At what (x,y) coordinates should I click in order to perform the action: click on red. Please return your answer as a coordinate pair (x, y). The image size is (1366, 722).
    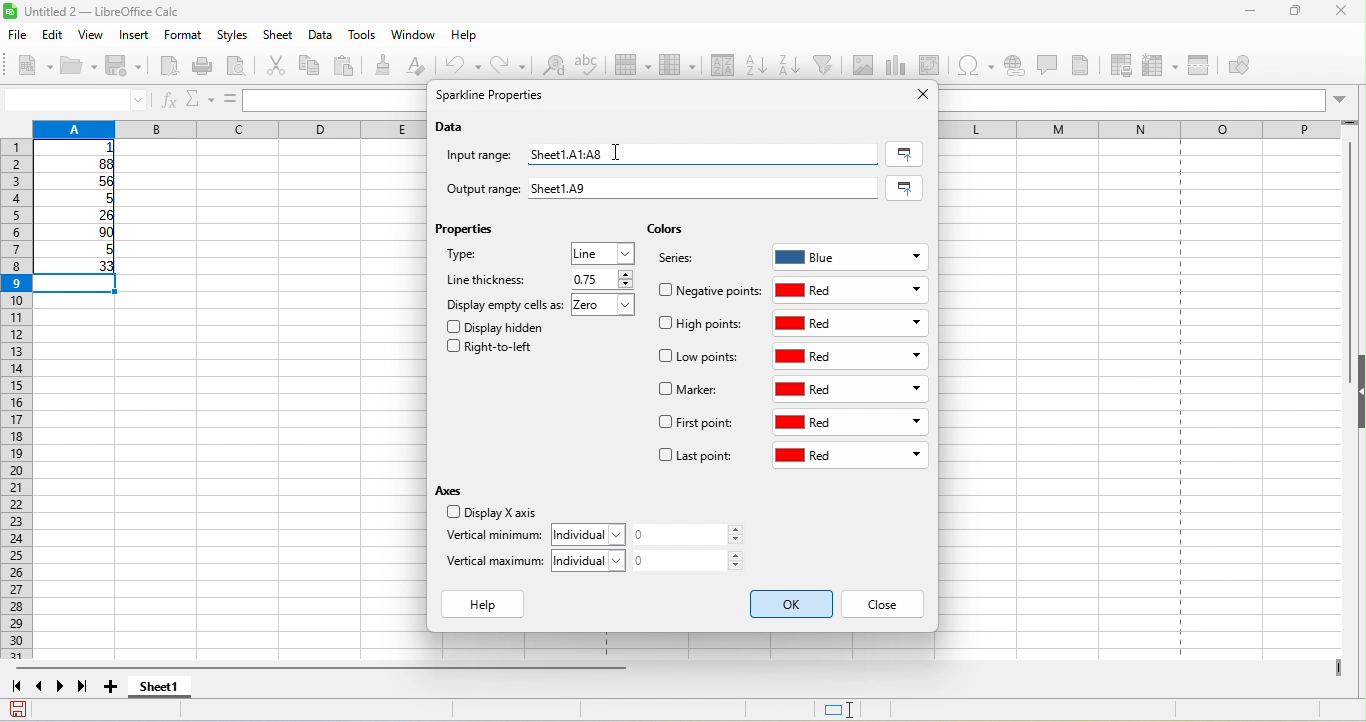
    Looking at the image, I should click on (850, 424).